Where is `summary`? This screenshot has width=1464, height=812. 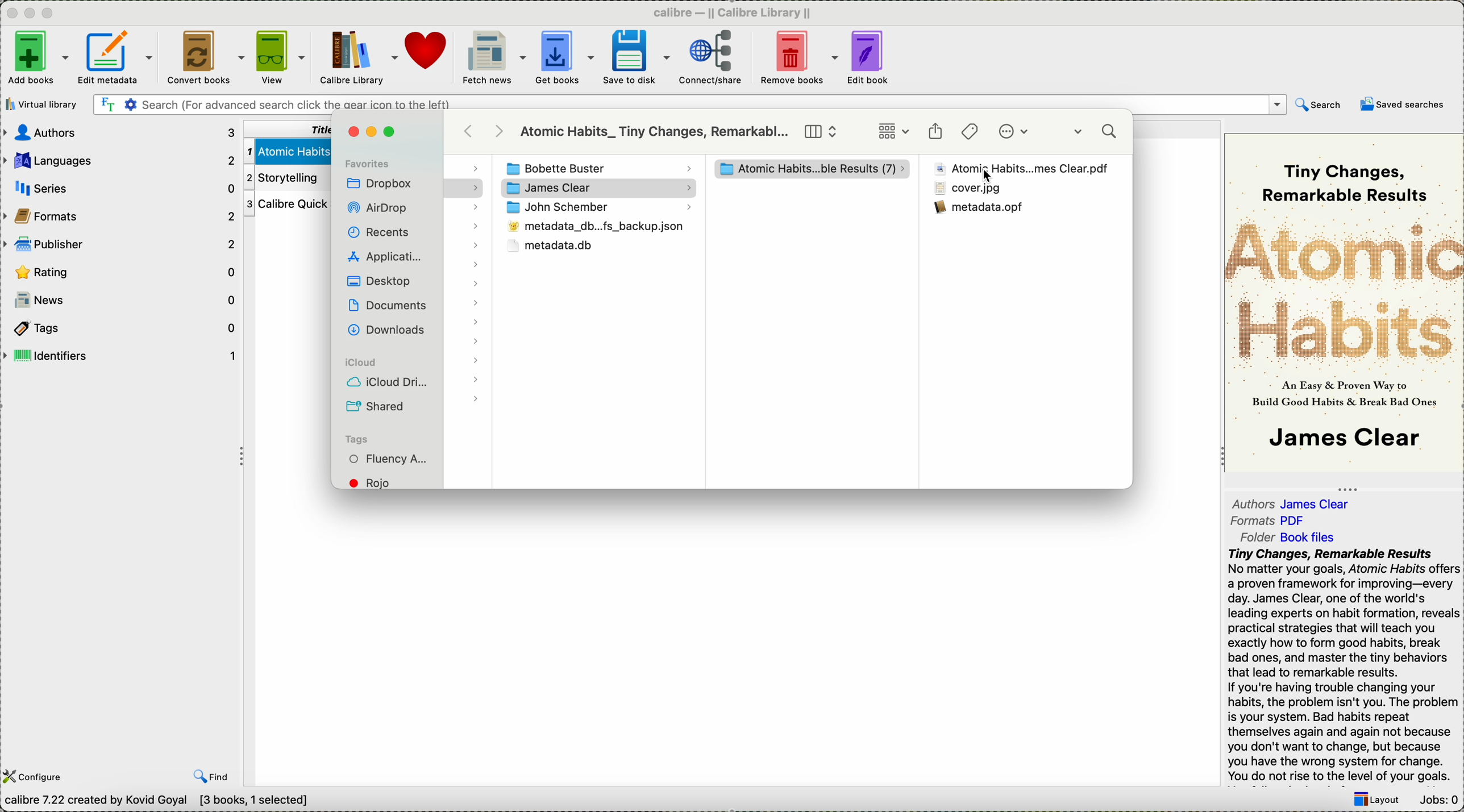 summary is located at coordinates (1343, 666).